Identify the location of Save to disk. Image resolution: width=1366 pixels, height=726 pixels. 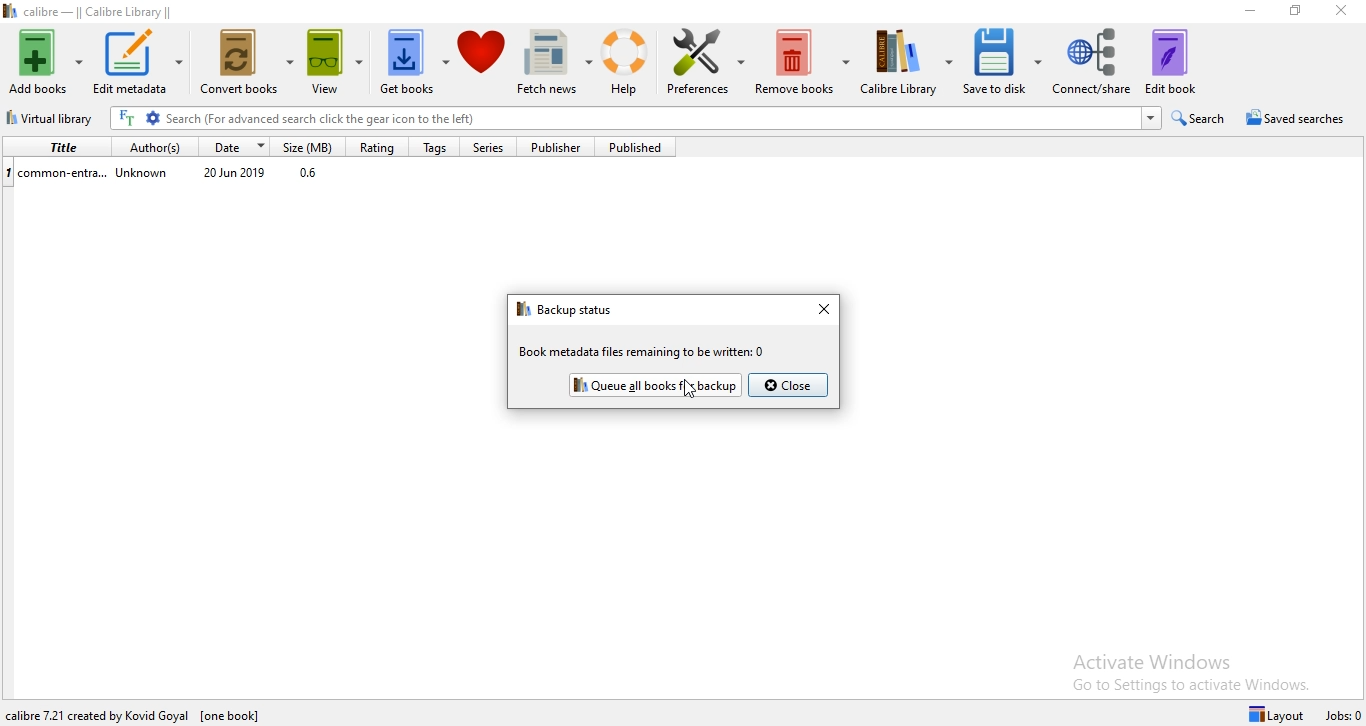
(1006, 64).